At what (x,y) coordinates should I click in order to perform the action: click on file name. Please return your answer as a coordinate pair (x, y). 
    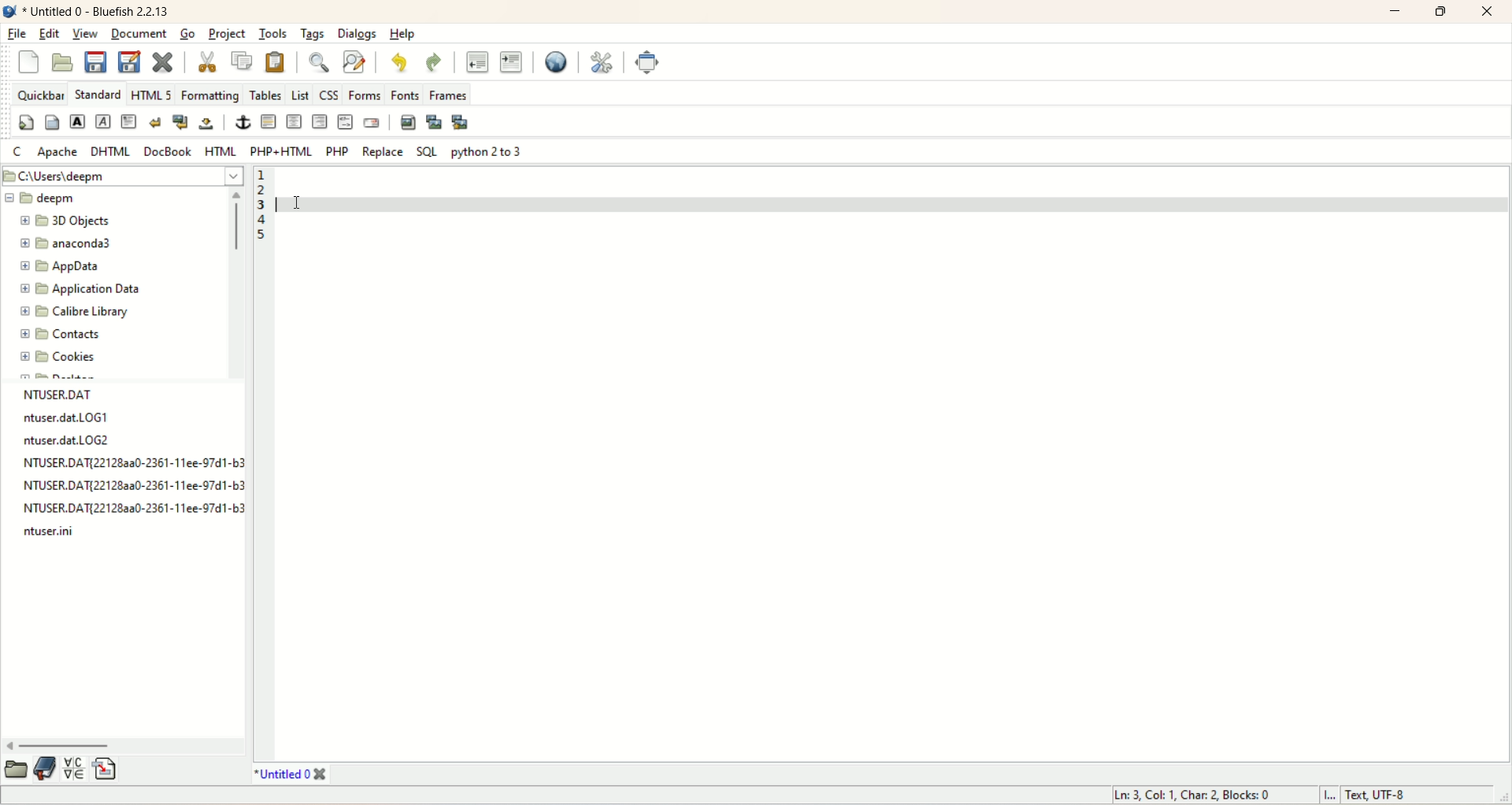
    Looking at the image, I should click on (132, 510).